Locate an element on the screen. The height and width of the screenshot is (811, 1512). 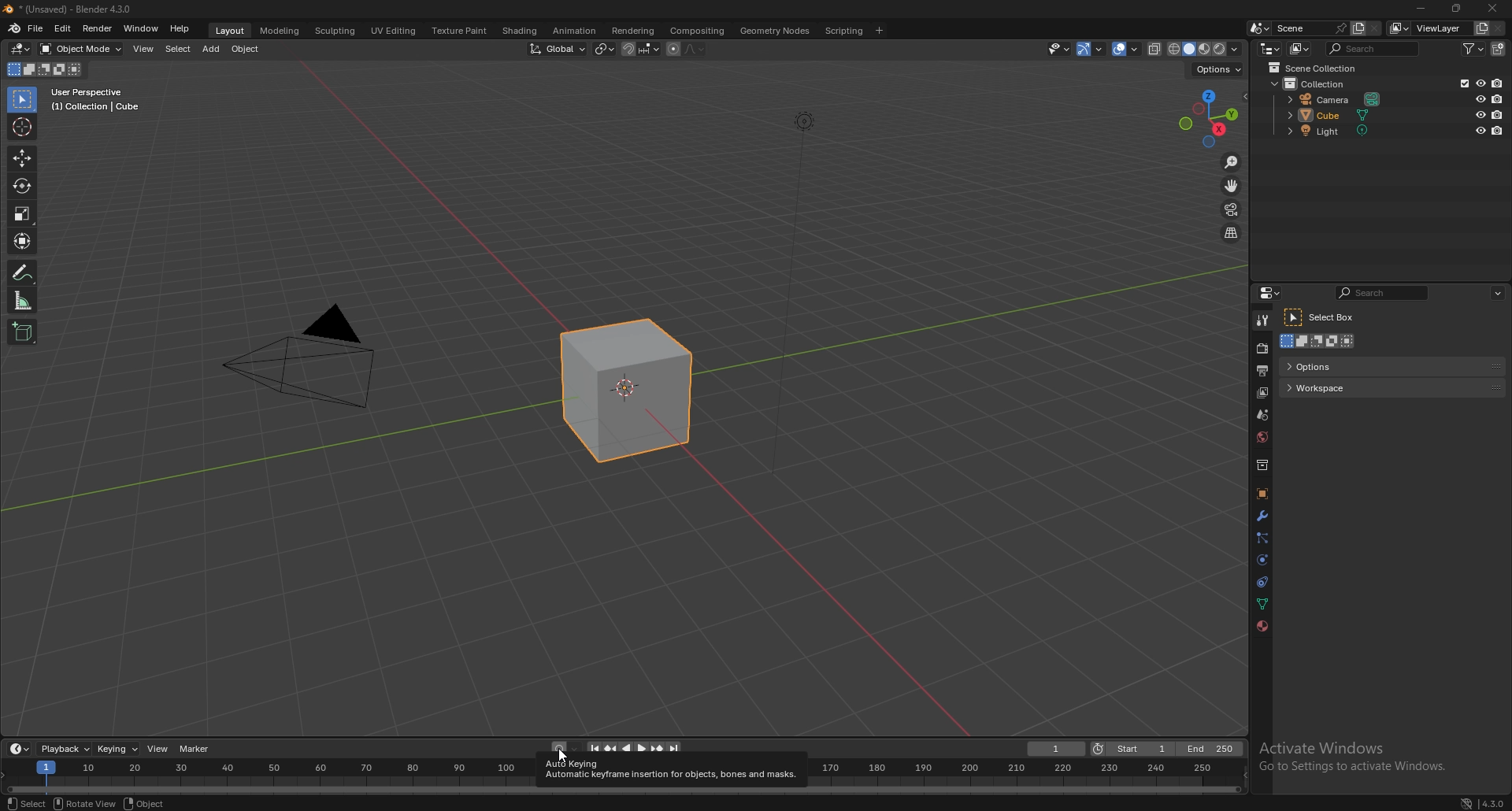
modifier is located at coordinates (1262, 515).